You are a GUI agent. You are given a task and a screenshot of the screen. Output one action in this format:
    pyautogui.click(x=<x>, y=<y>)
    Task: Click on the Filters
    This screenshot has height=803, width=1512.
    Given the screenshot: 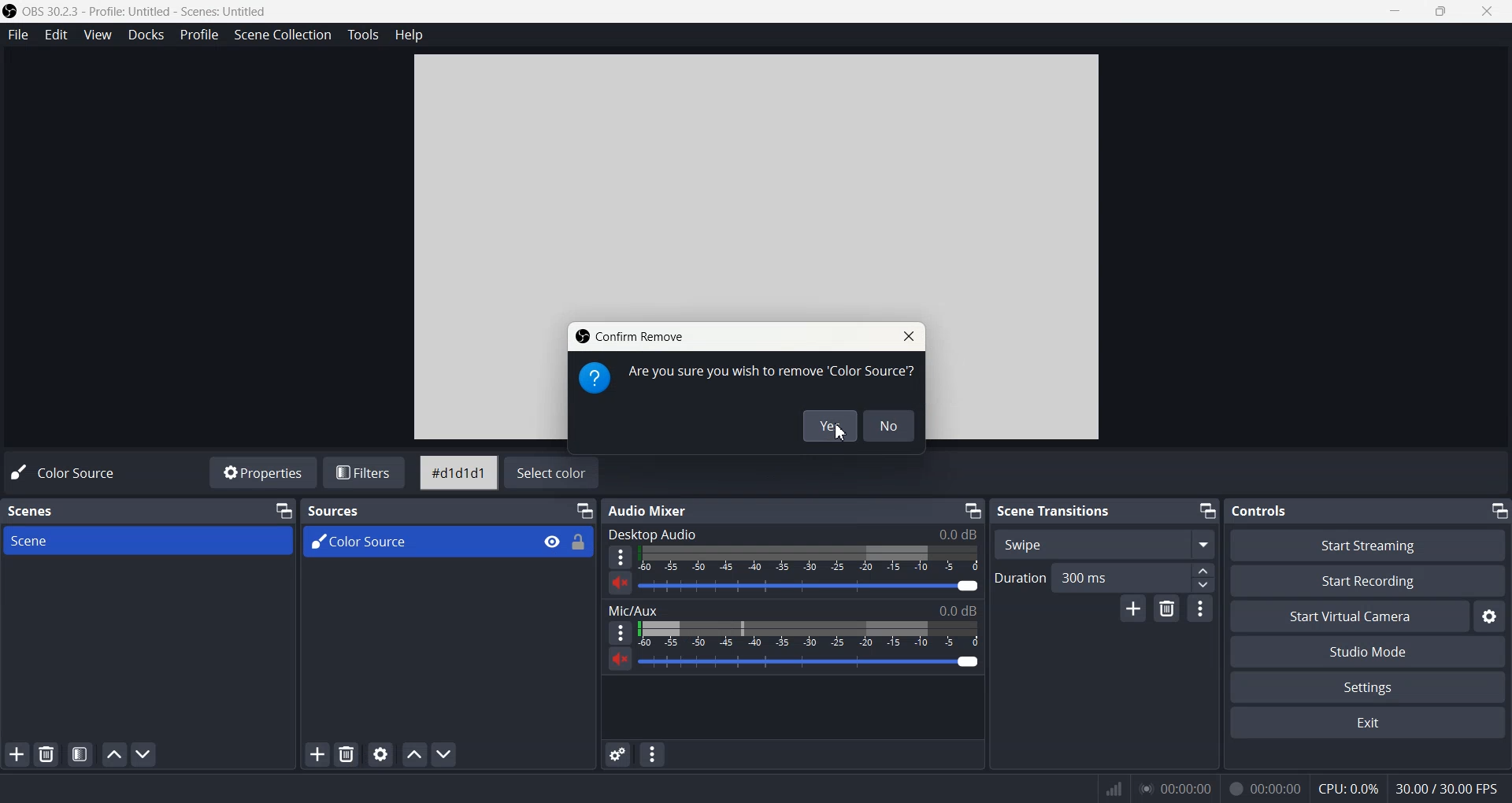 What is the action you would take?
    pyautogui.click(x=365, y=472)
    